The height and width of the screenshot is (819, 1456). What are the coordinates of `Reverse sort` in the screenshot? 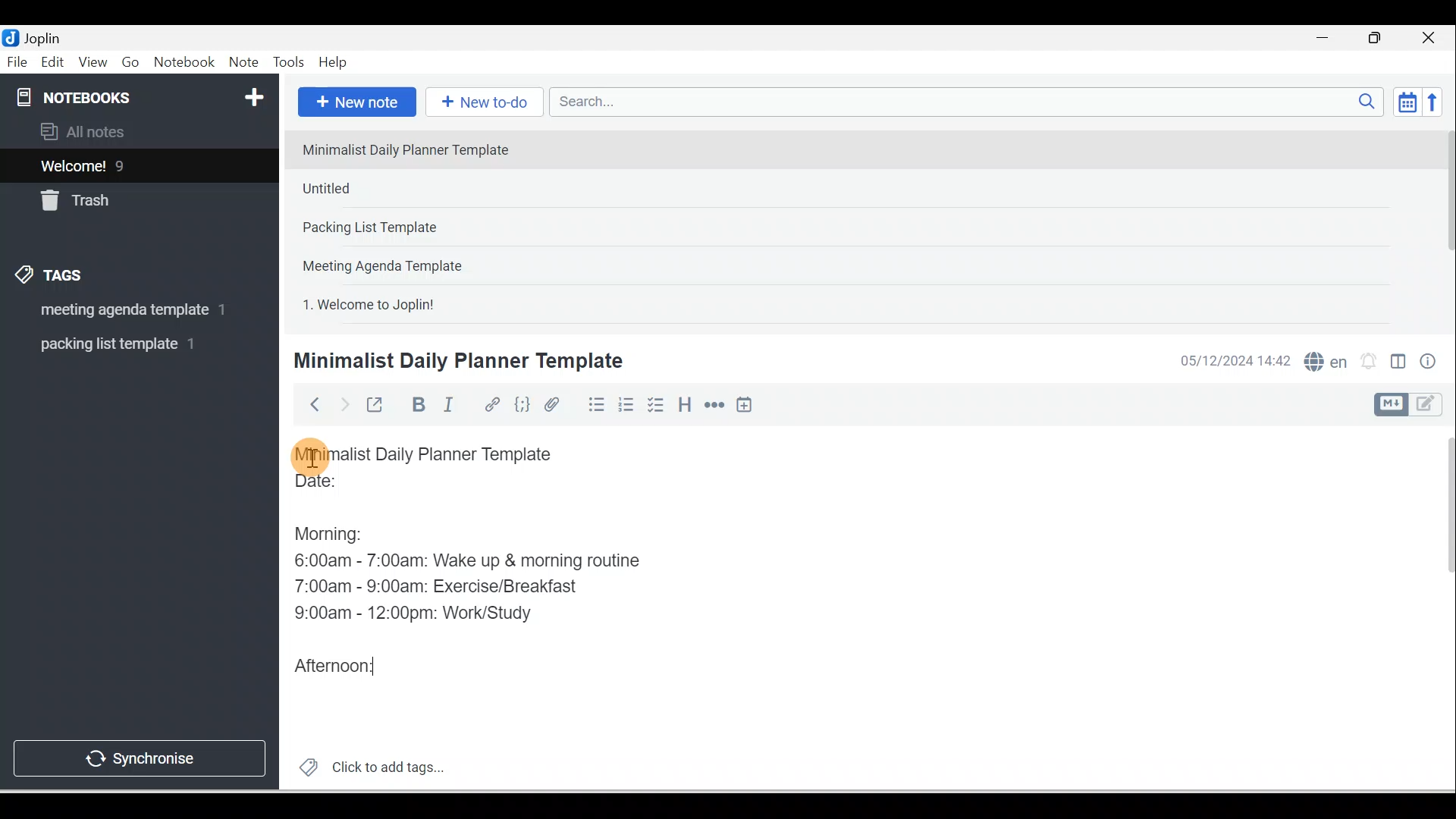 It's located at (1437, 102).